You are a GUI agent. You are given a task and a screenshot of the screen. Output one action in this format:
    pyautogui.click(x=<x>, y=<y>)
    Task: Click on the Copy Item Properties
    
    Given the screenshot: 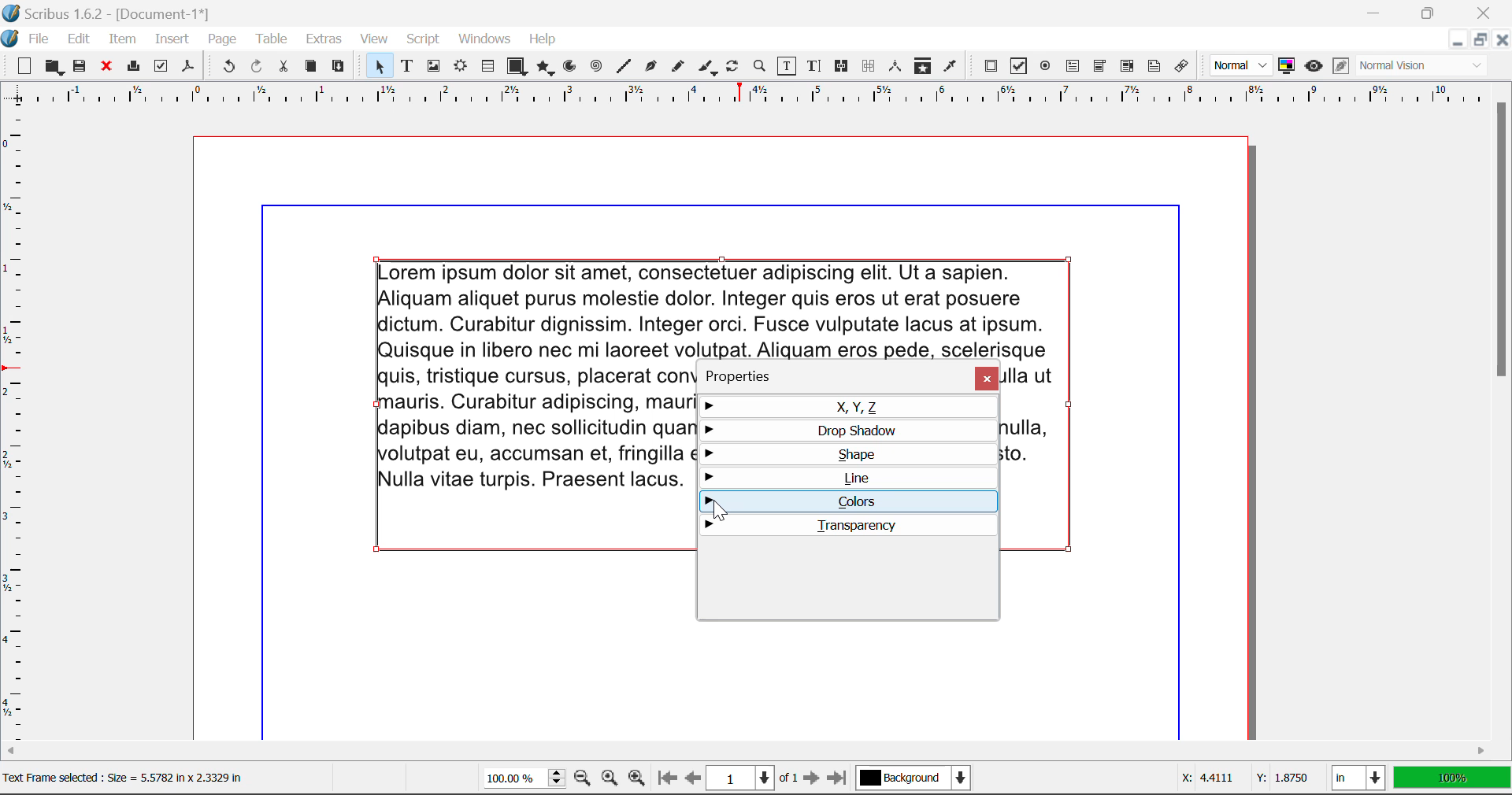 What is the action you would take?
    pyautogui.click(x=922, y=68)
    